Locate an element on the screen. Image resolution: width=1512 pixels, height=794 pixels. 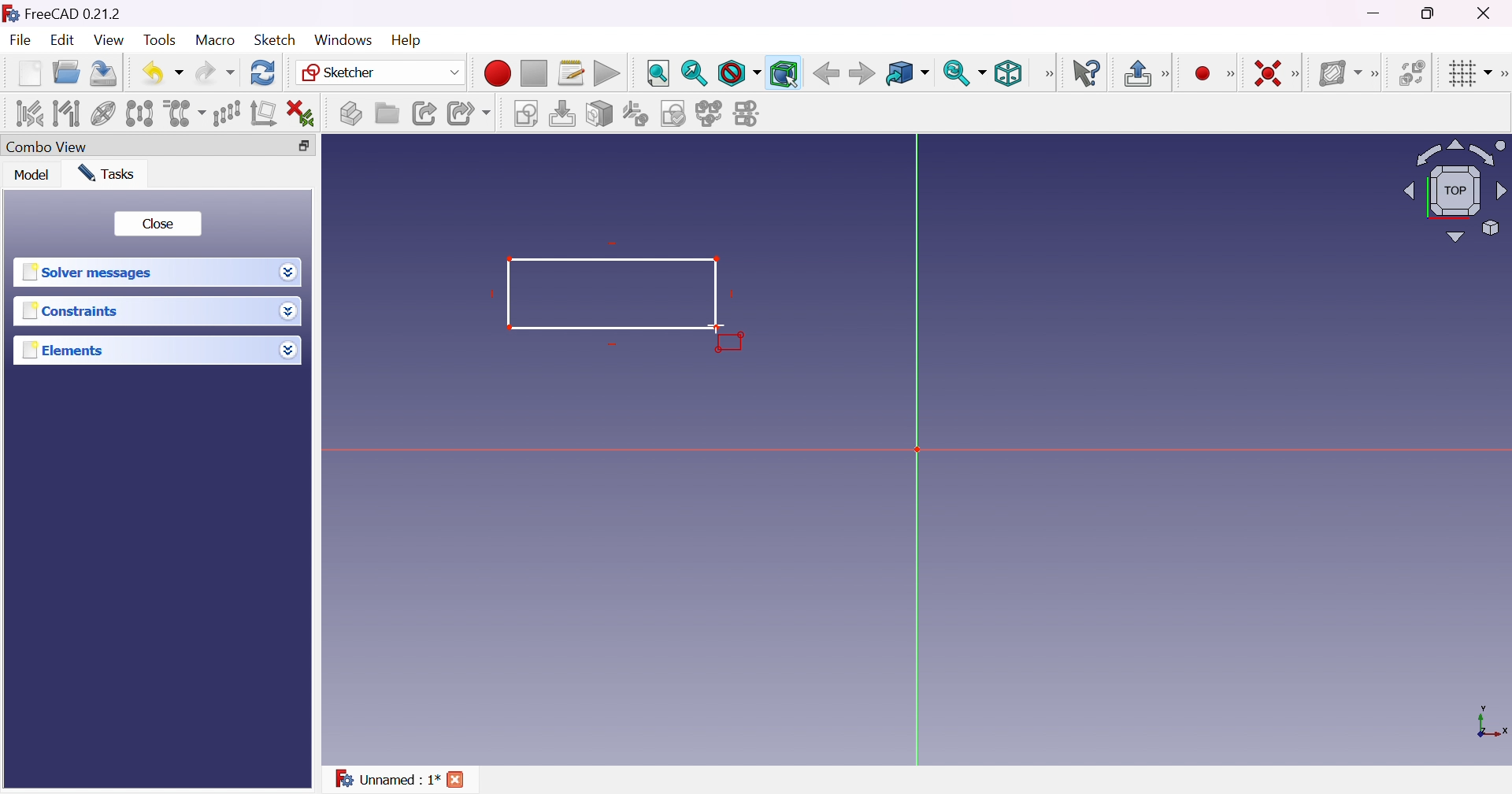
Go to linked object is located at coordinates (908, 72).